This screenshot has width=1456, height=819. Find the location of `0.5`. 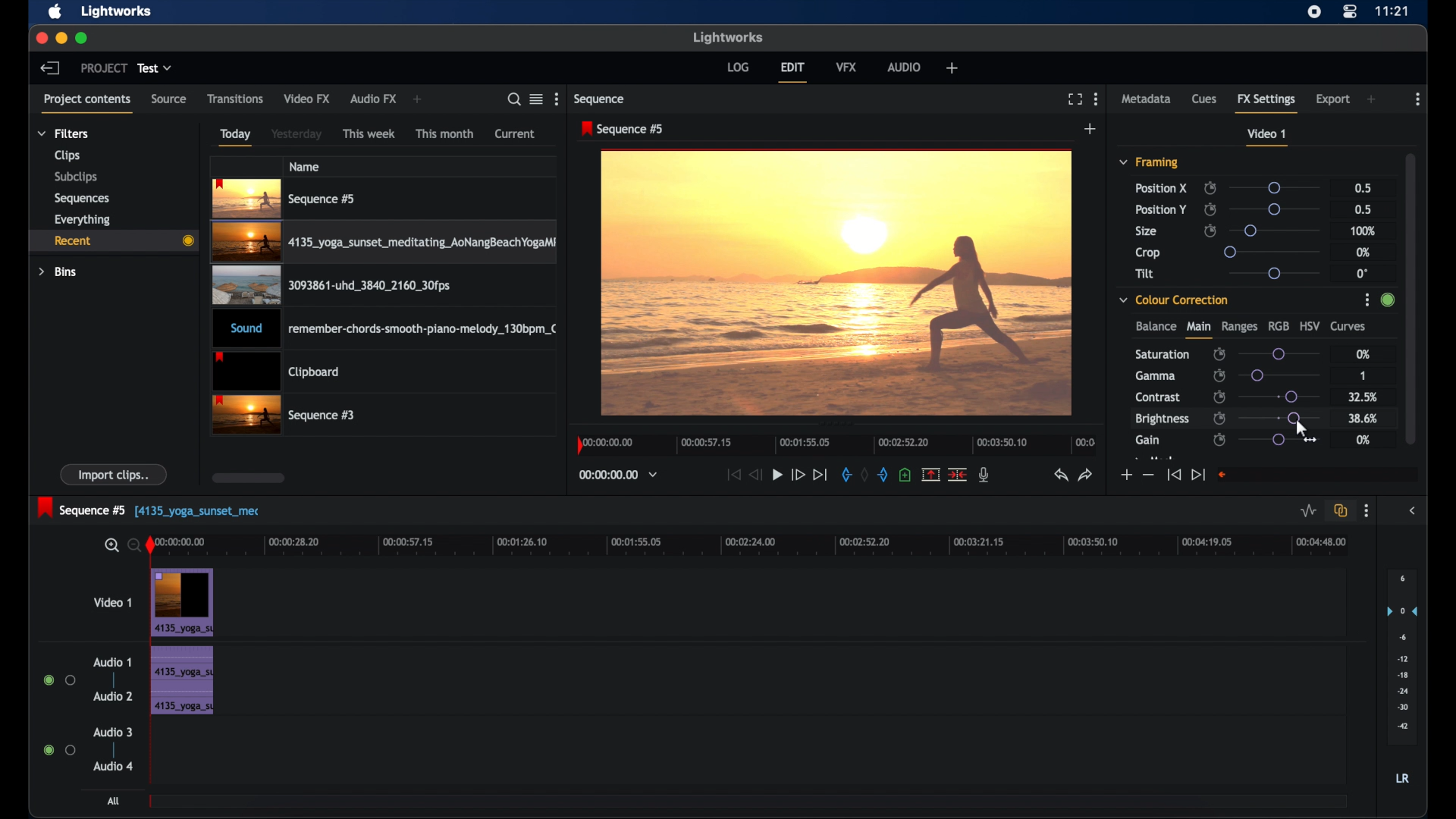

0.5 is located at coordinates (1363, 187).